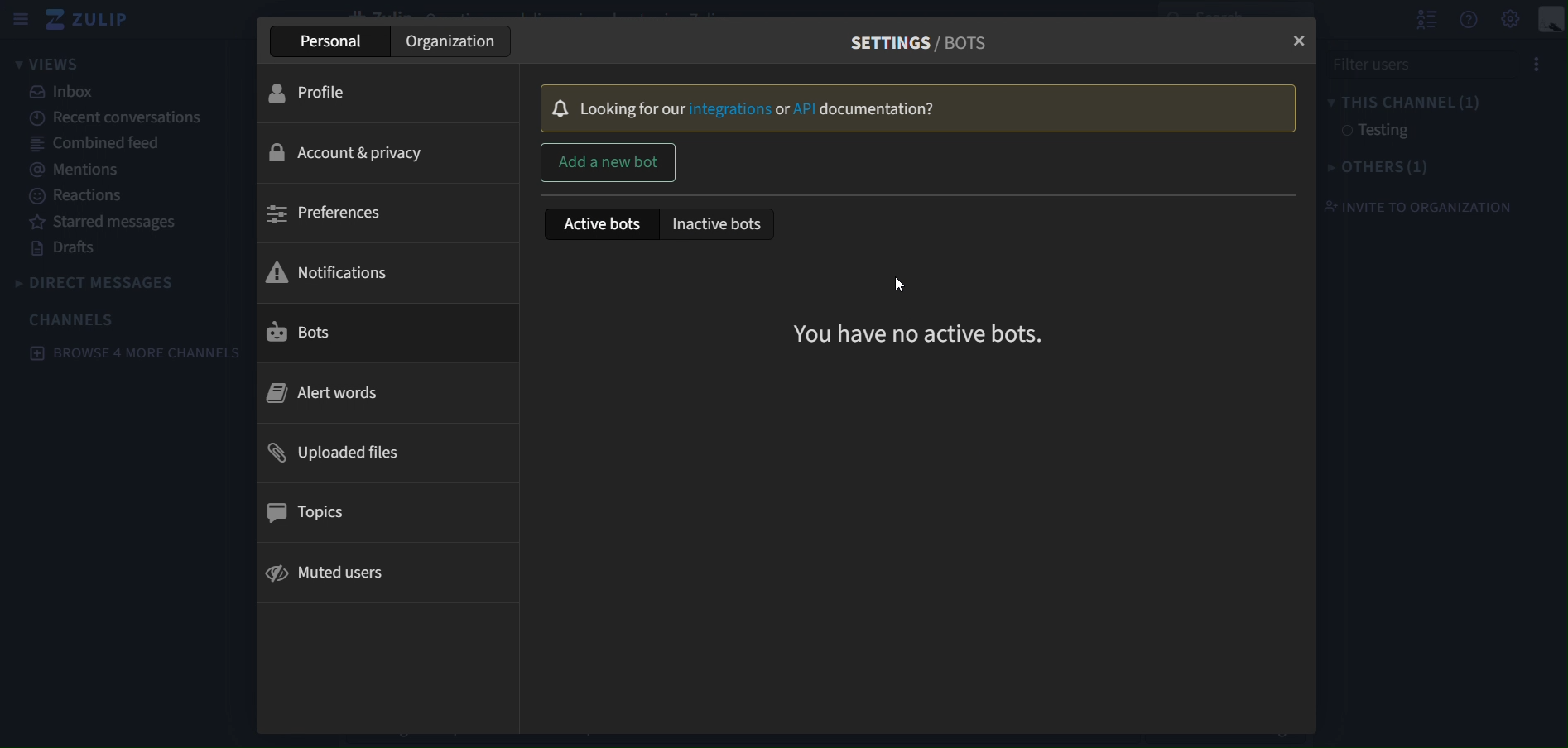 The image size is (1568, 748). Describe the element at coordinates (922, 336) in the screenshot. I see `you have no active bots.` at that location.